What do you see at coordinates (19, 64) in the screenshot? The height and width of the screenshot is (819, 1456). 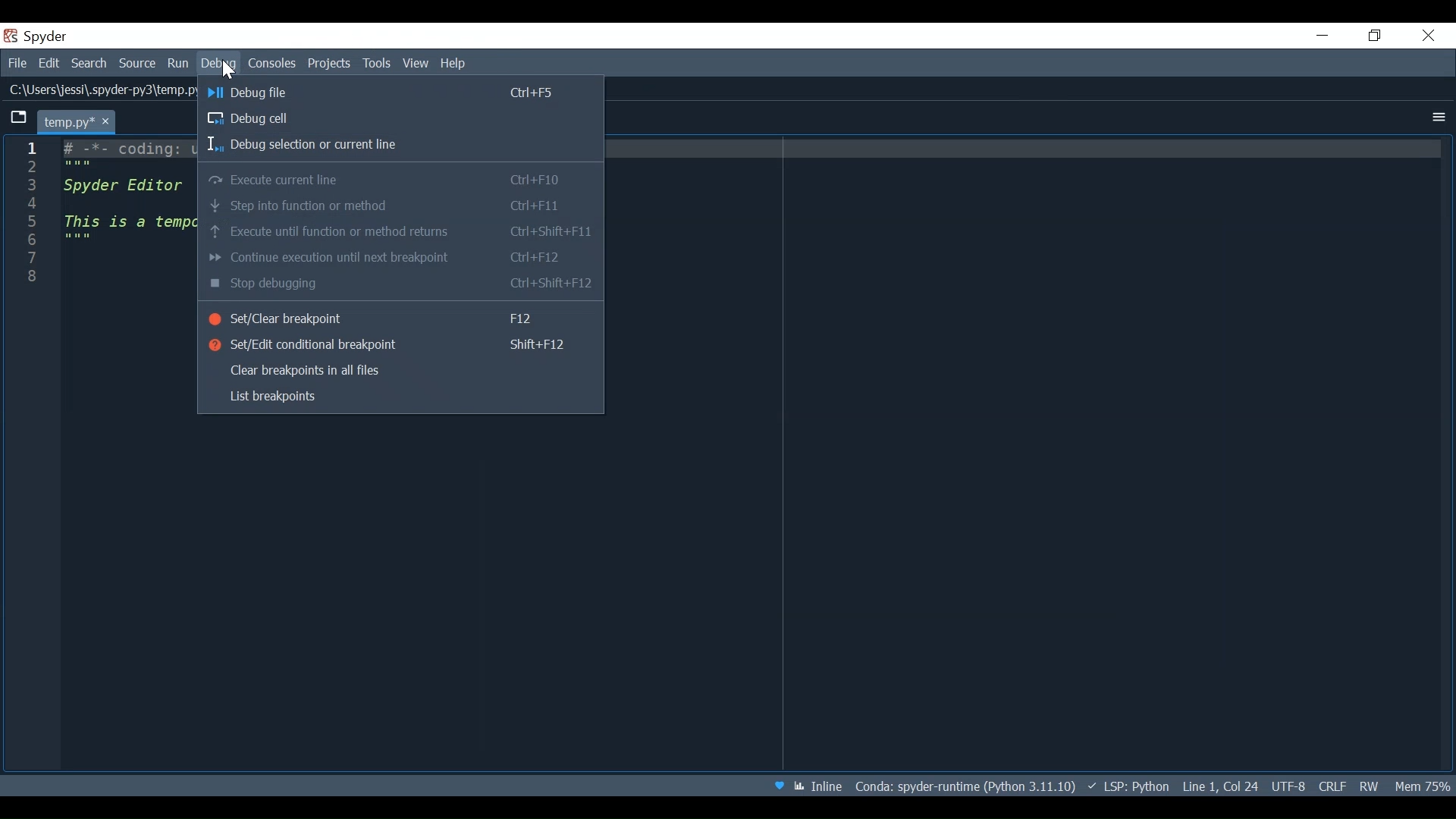 I see `file` at bounding box center [19, 64].